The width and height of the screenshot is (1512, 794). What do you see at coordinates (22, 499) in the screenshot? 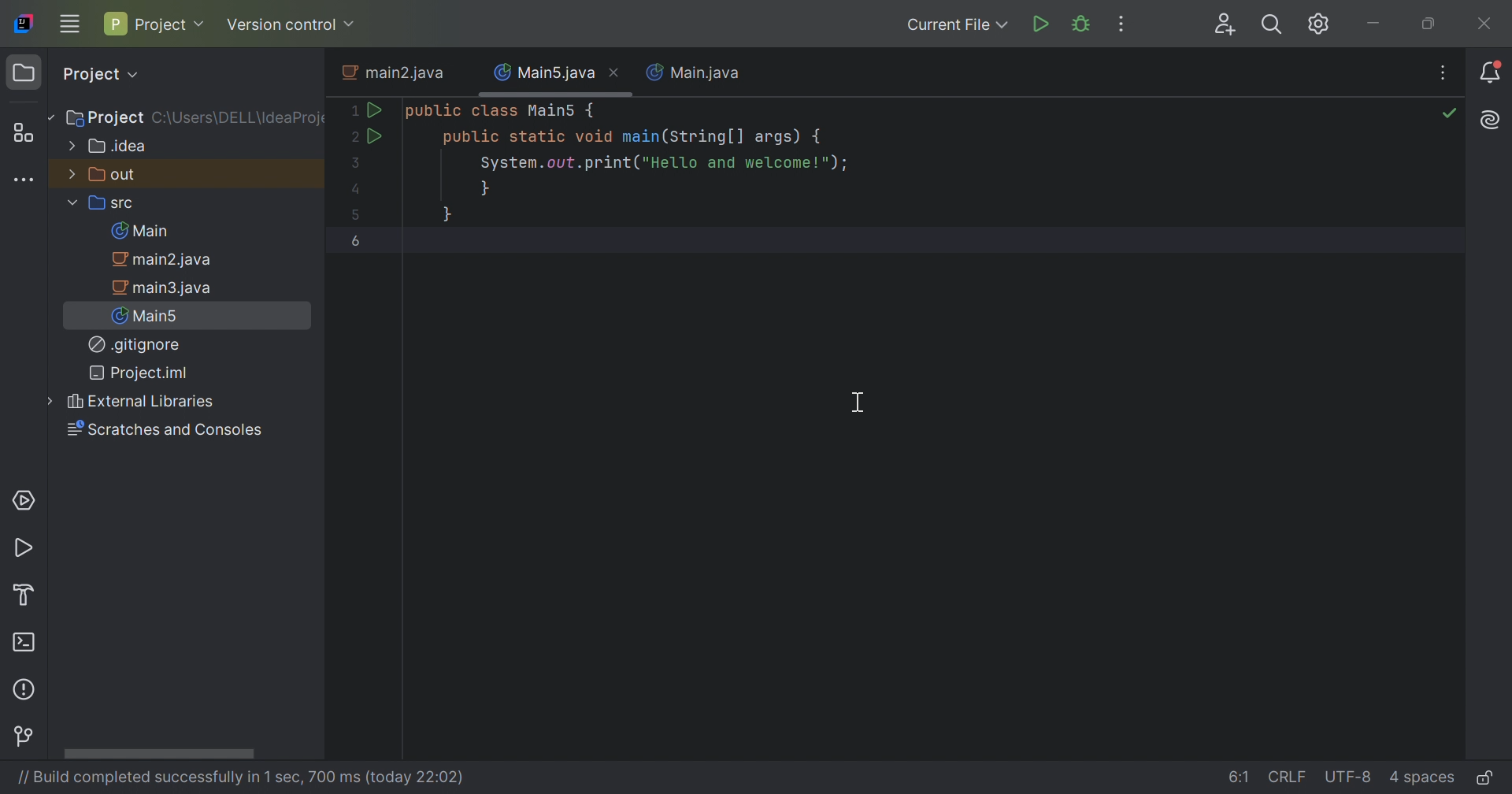
I see `Services` at bounding box center [22, 499].